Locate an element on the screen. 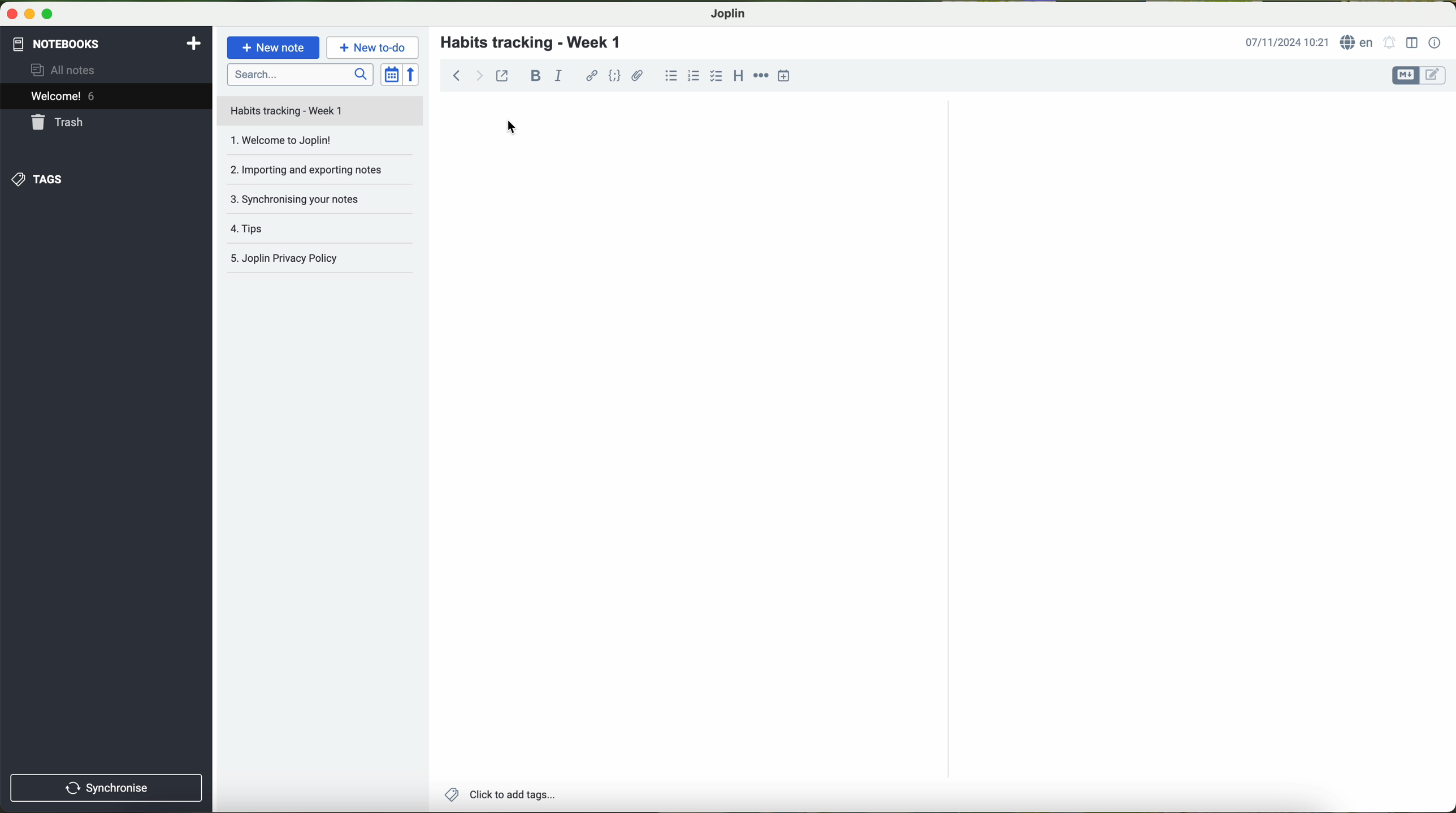  heading is located at coordinates (737, 75).